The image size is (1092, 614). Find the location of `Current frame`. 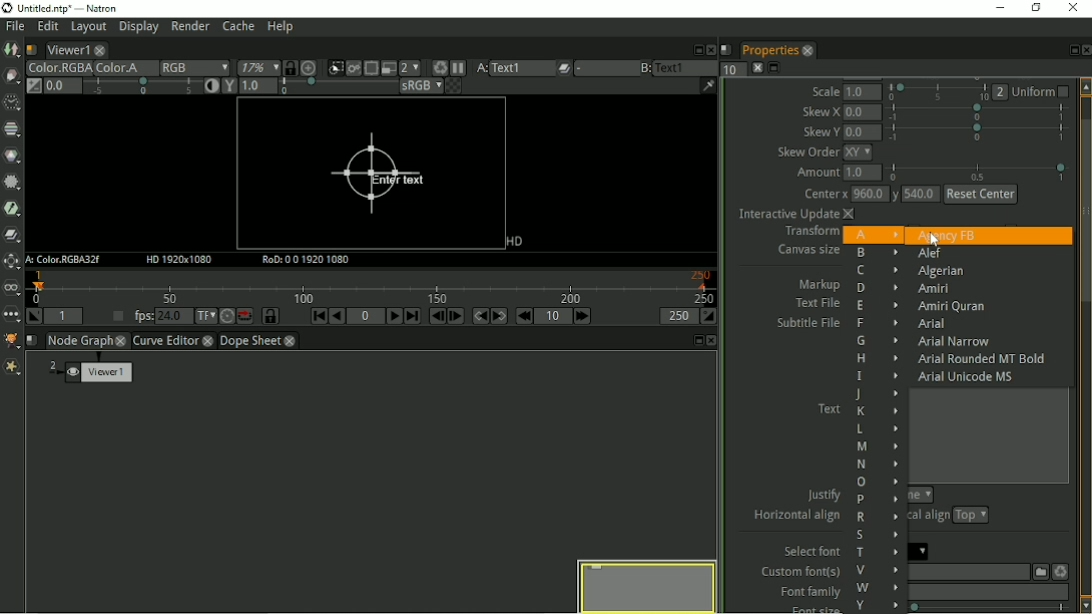

Current frame is located at coordinates (366, 316).